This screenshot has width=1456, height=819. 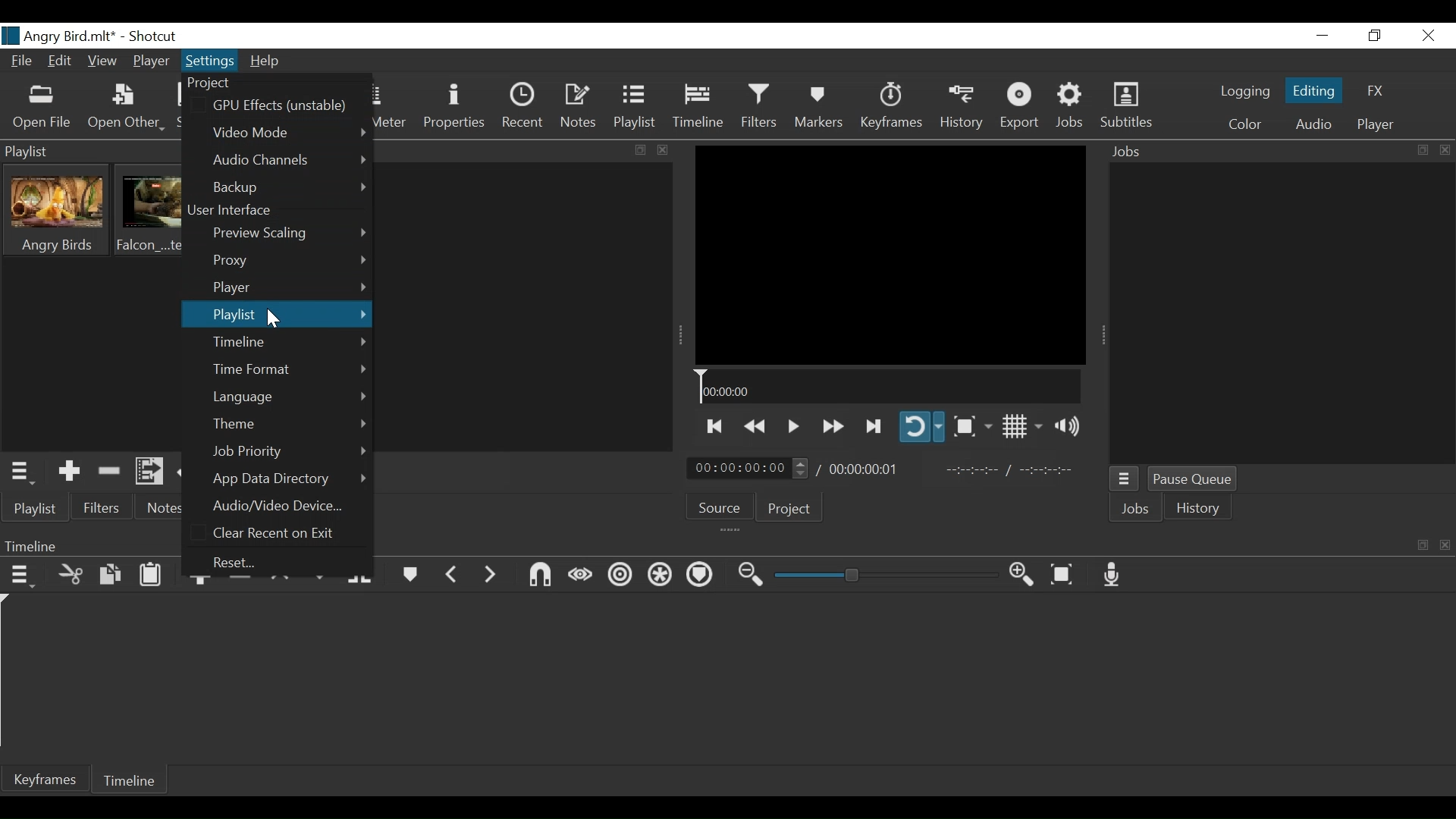 I want to click on In point, so click(x=1012, y=472).